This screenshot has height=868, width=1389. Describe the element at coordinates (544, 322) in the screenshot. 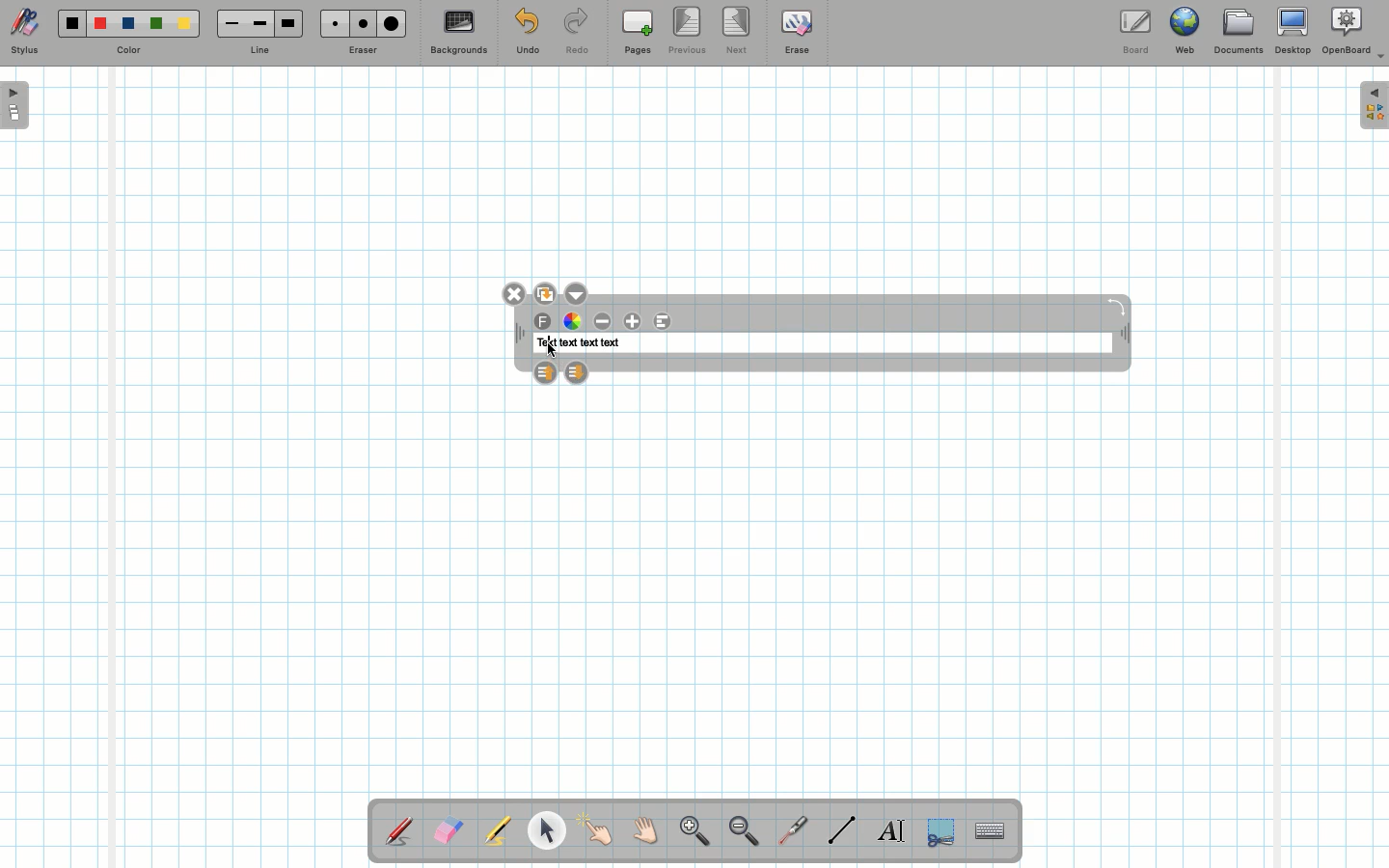

I see `Font` at that location.